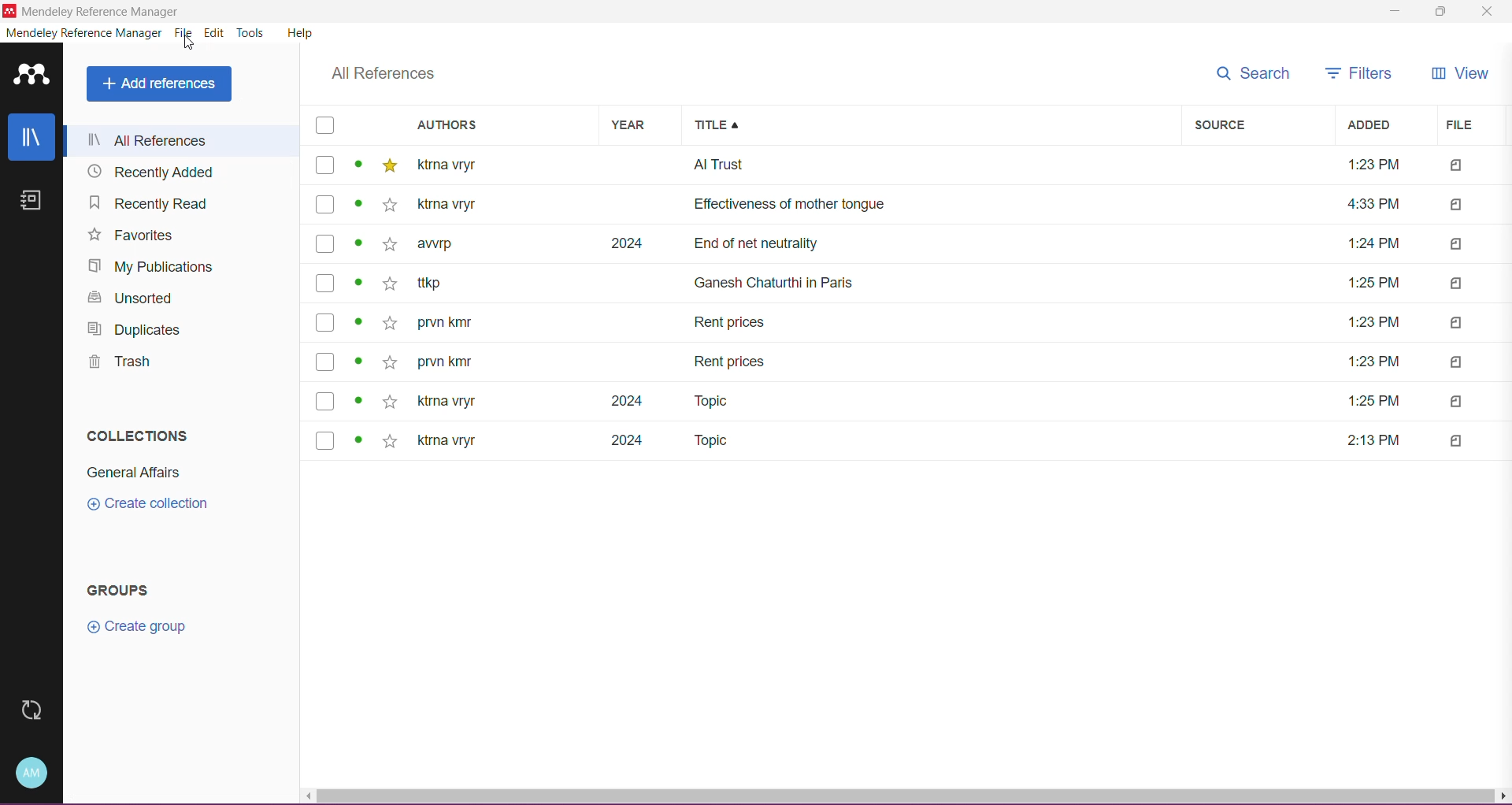  What do you see at coordinates (137, 331) in the screenshot?
I see `Duplicates` at bounding box center [137, 331].